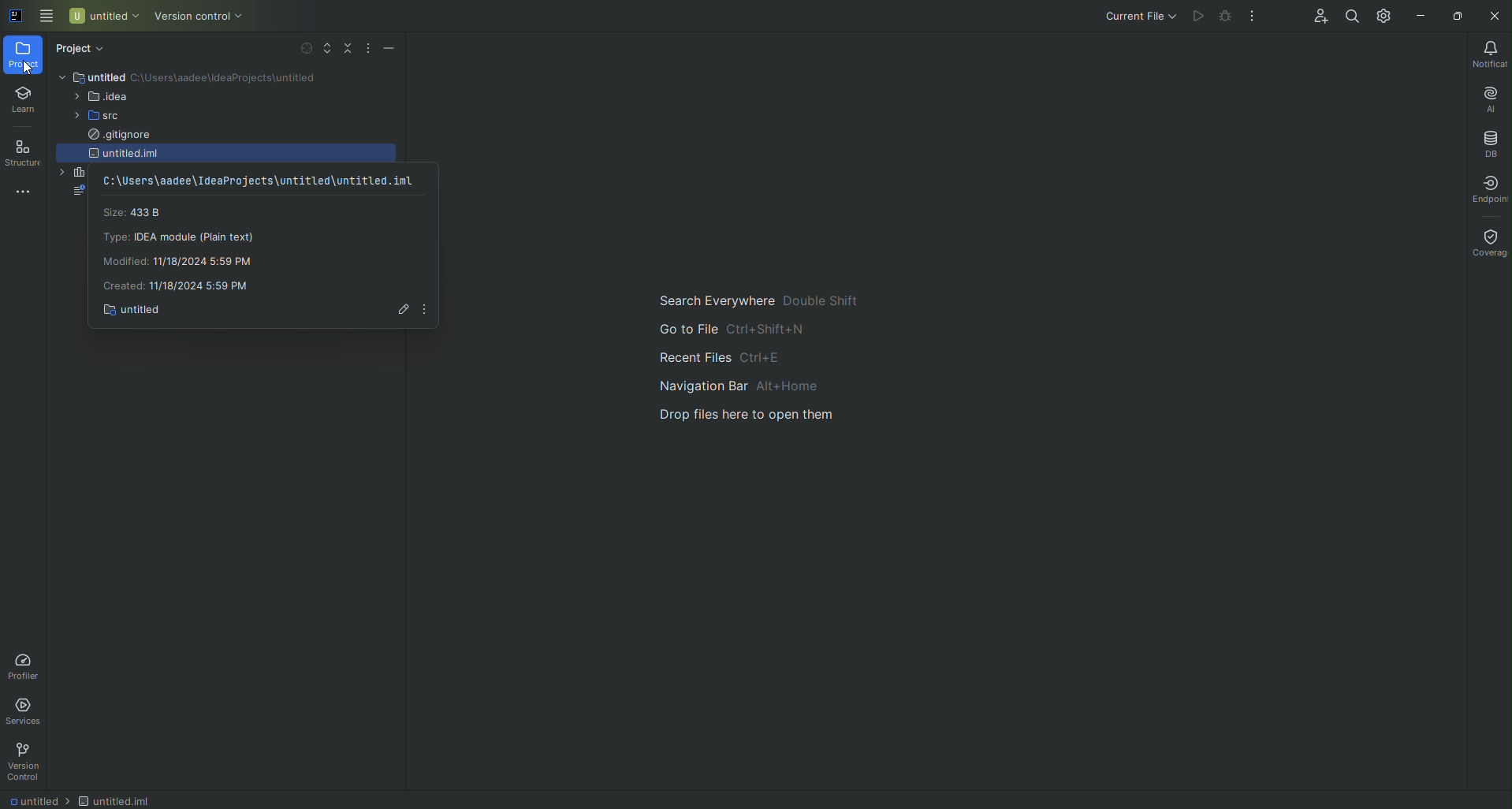 This screenshot has height=809, width=1512. I want to click on Services, so click(26, 712).